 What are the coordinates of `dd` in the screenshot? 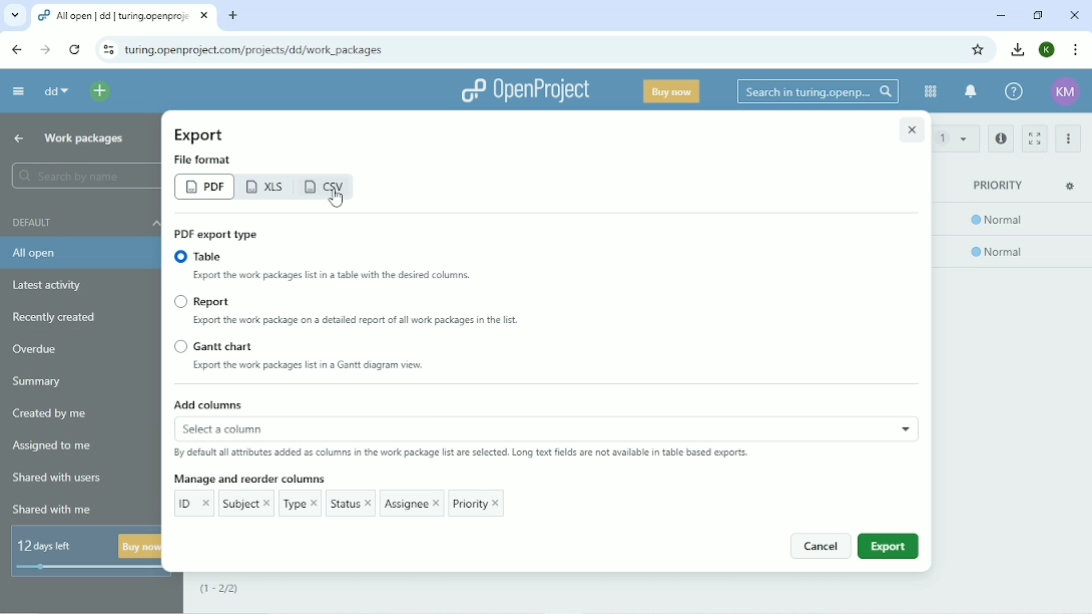 It's located at (55, 93).